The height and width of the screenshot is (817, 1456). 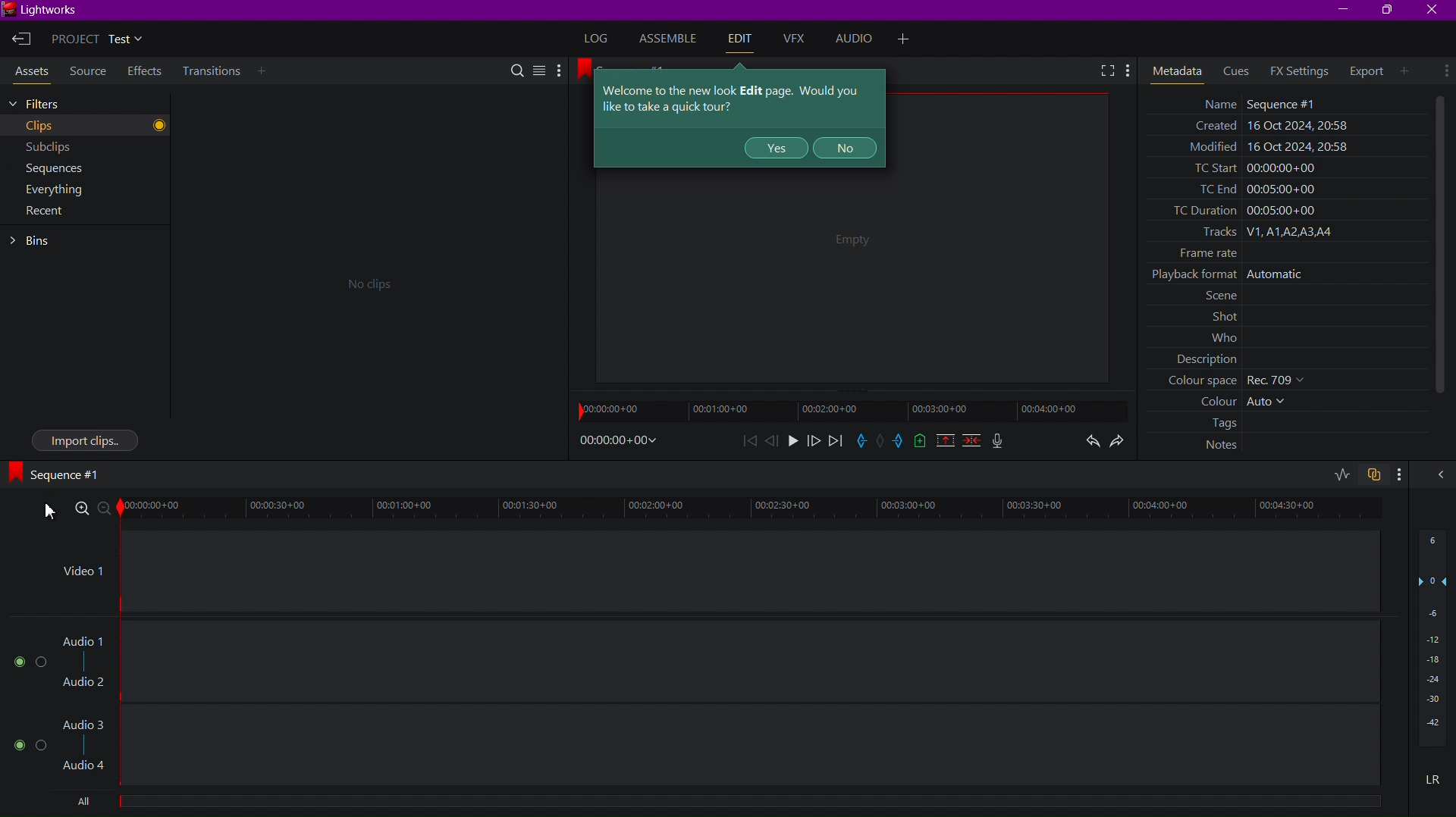 What do you see at coordinates (908, 39) in the screenshot?
I see `More` at bounding box center [908, 39].